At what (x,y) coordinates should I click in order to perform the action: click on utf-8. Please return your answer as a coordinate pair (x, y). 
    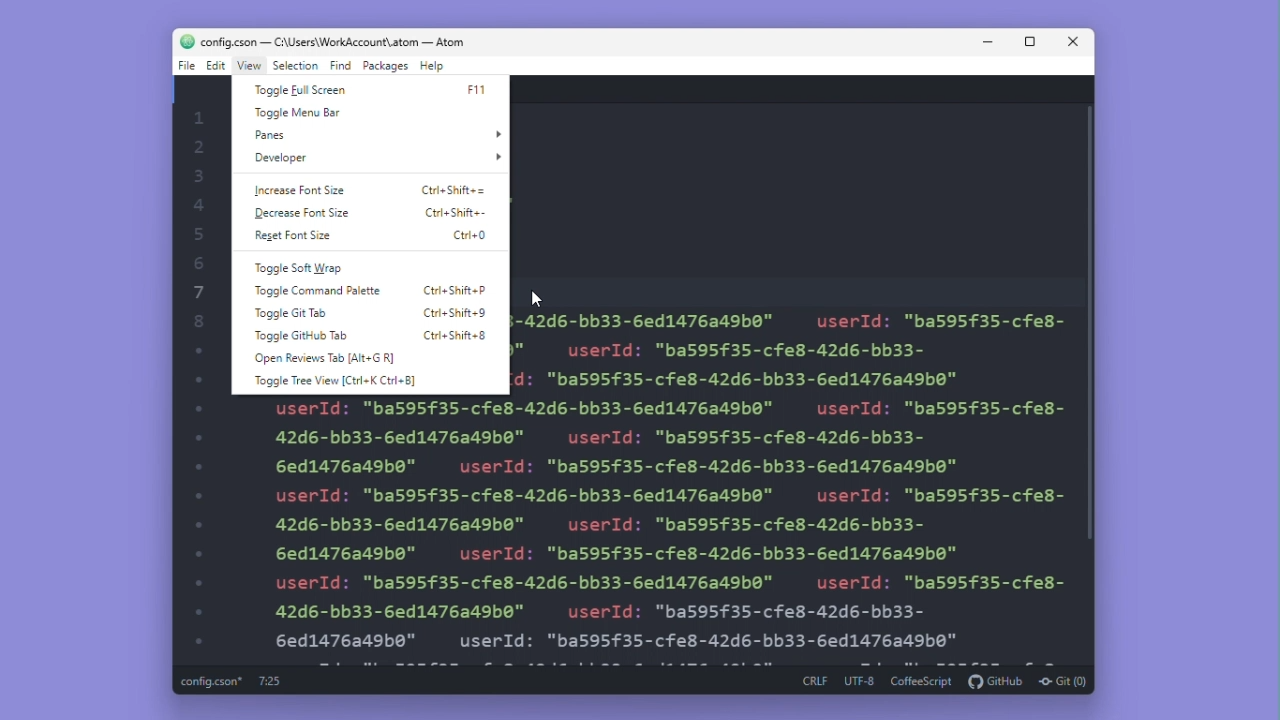
    Looking at the image, I should click on (859, 681).